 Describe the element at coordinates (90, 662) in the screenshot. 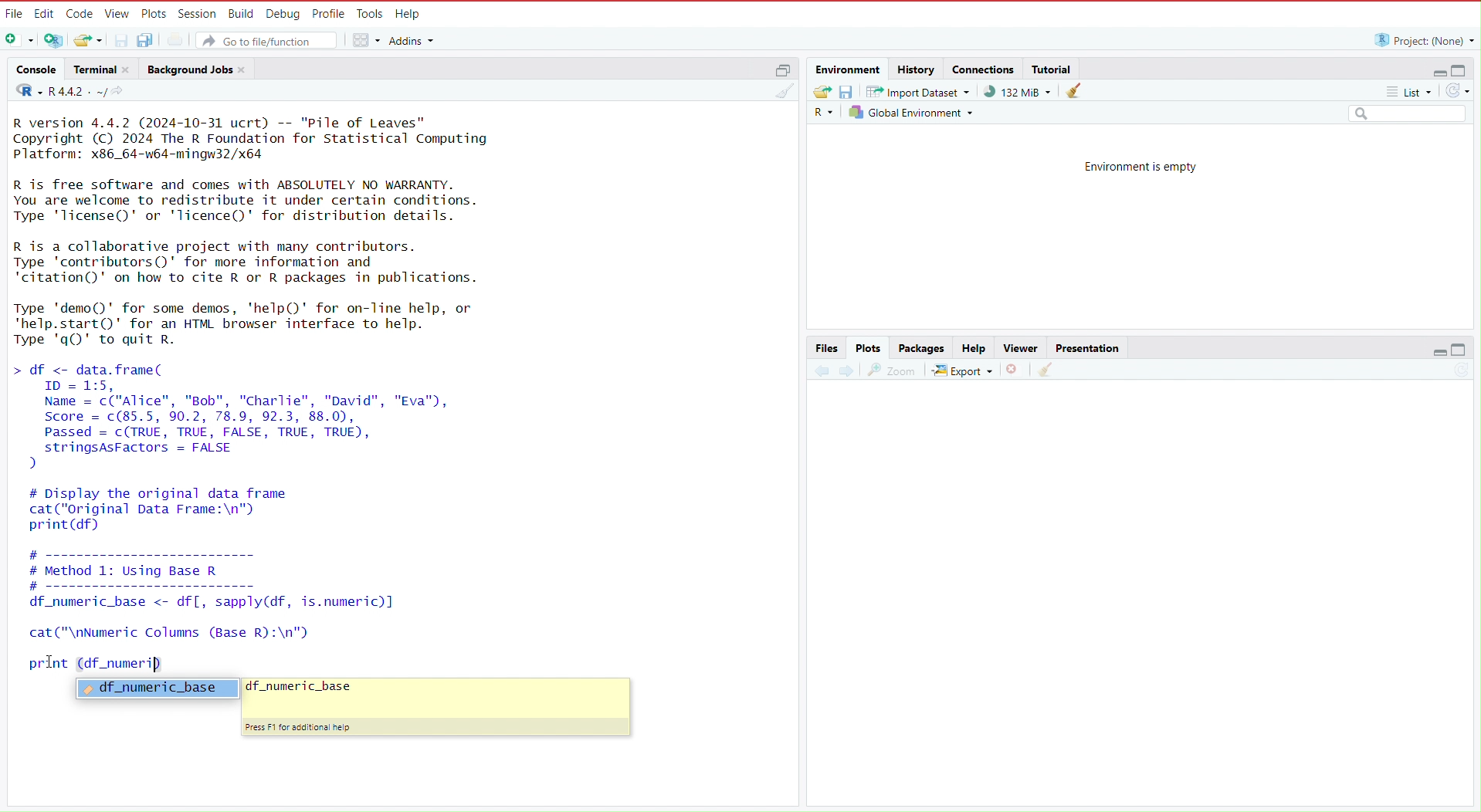

I see `print (df_numeri)` at that location.